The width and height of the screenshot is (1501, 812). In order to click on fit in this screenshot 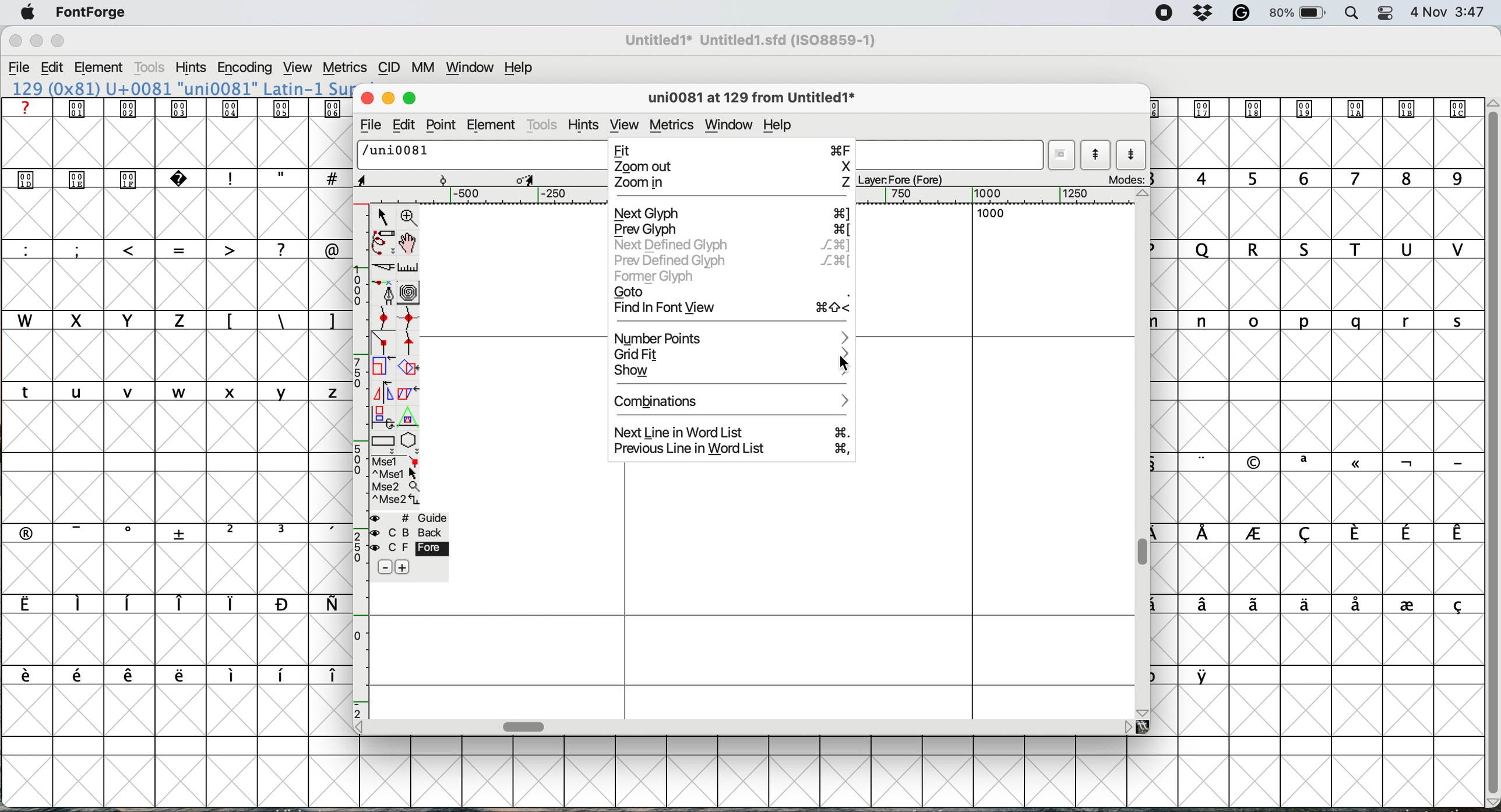, I will do `click(732, 149)`.